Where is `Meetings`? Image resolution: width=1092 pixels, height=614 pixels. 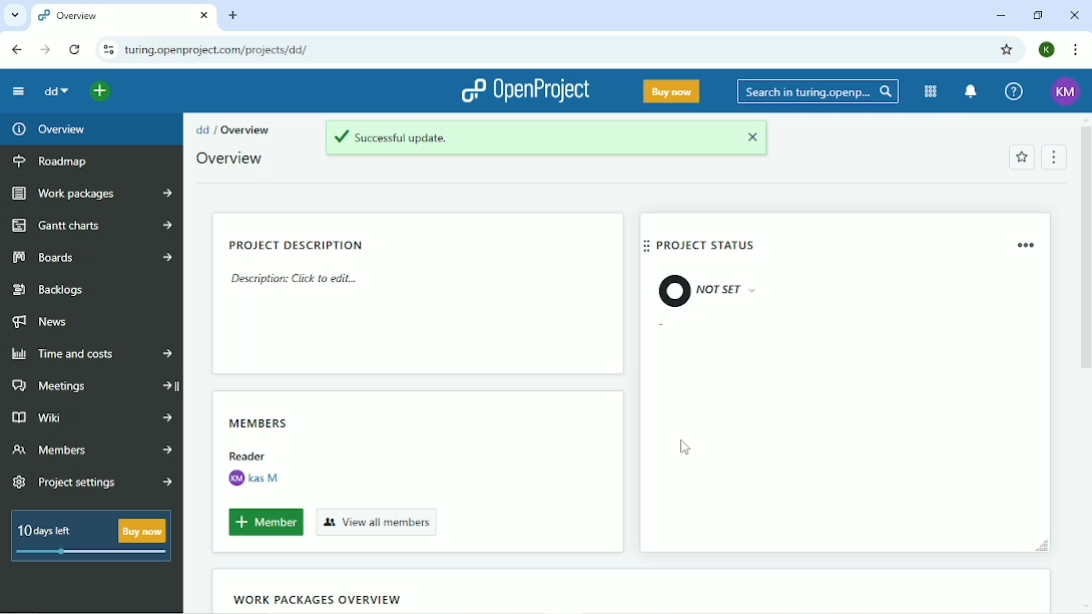 Meetings is located at coordinates (94, 385).